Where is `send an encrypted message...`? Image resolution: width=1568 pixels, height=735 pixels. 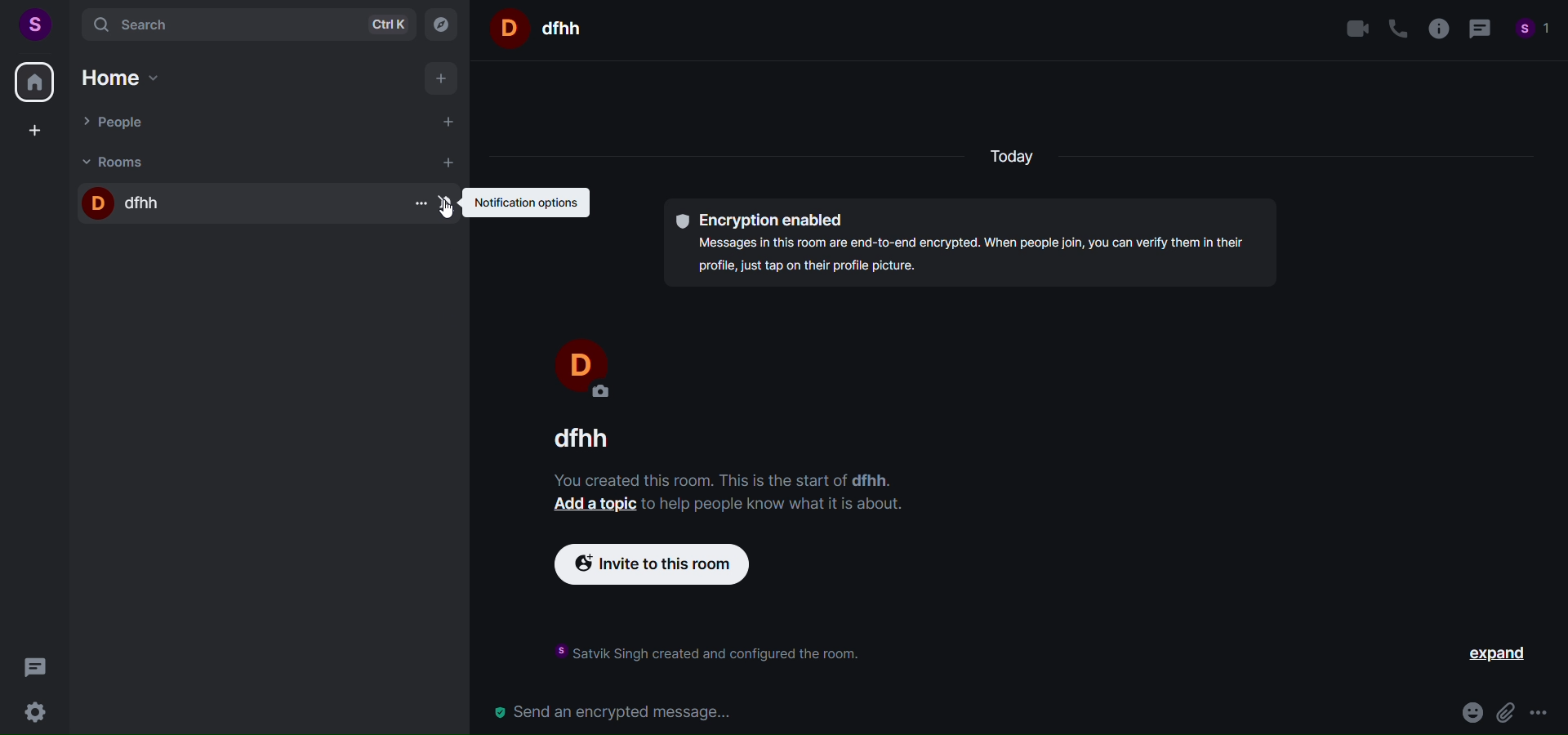 send an encrypted message... is located at coordinates (962, 711).